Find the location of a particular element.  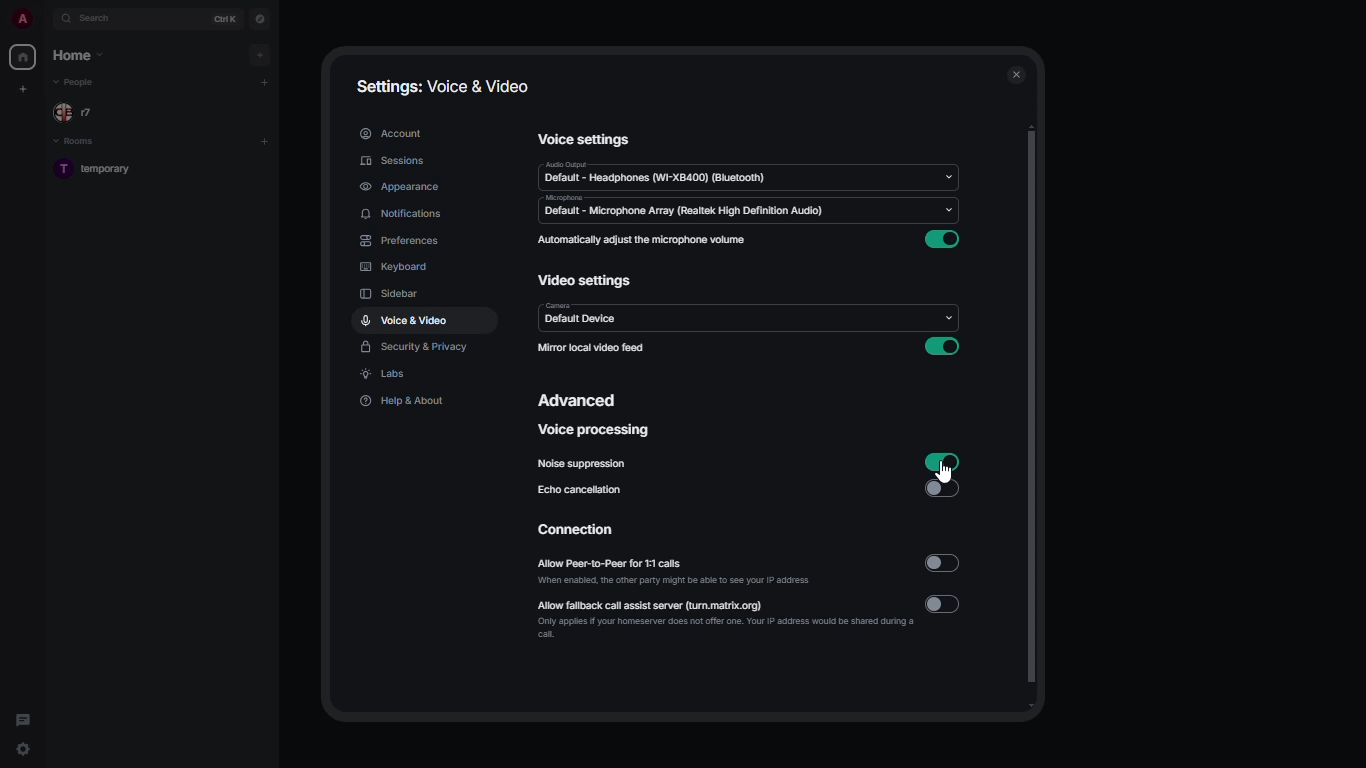

search is located at coordinates (98, 19).